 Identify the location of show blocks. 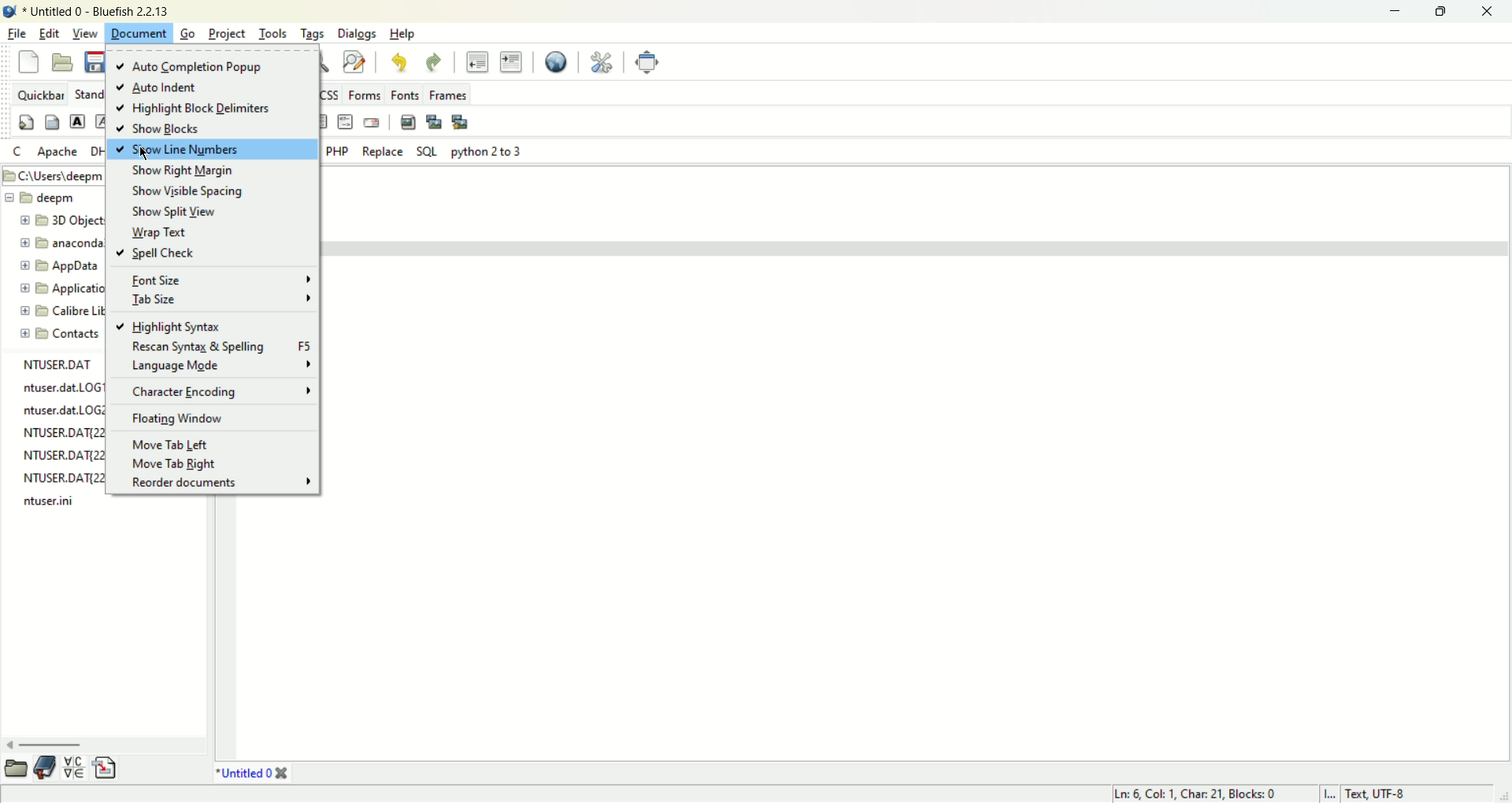
(160, 129).